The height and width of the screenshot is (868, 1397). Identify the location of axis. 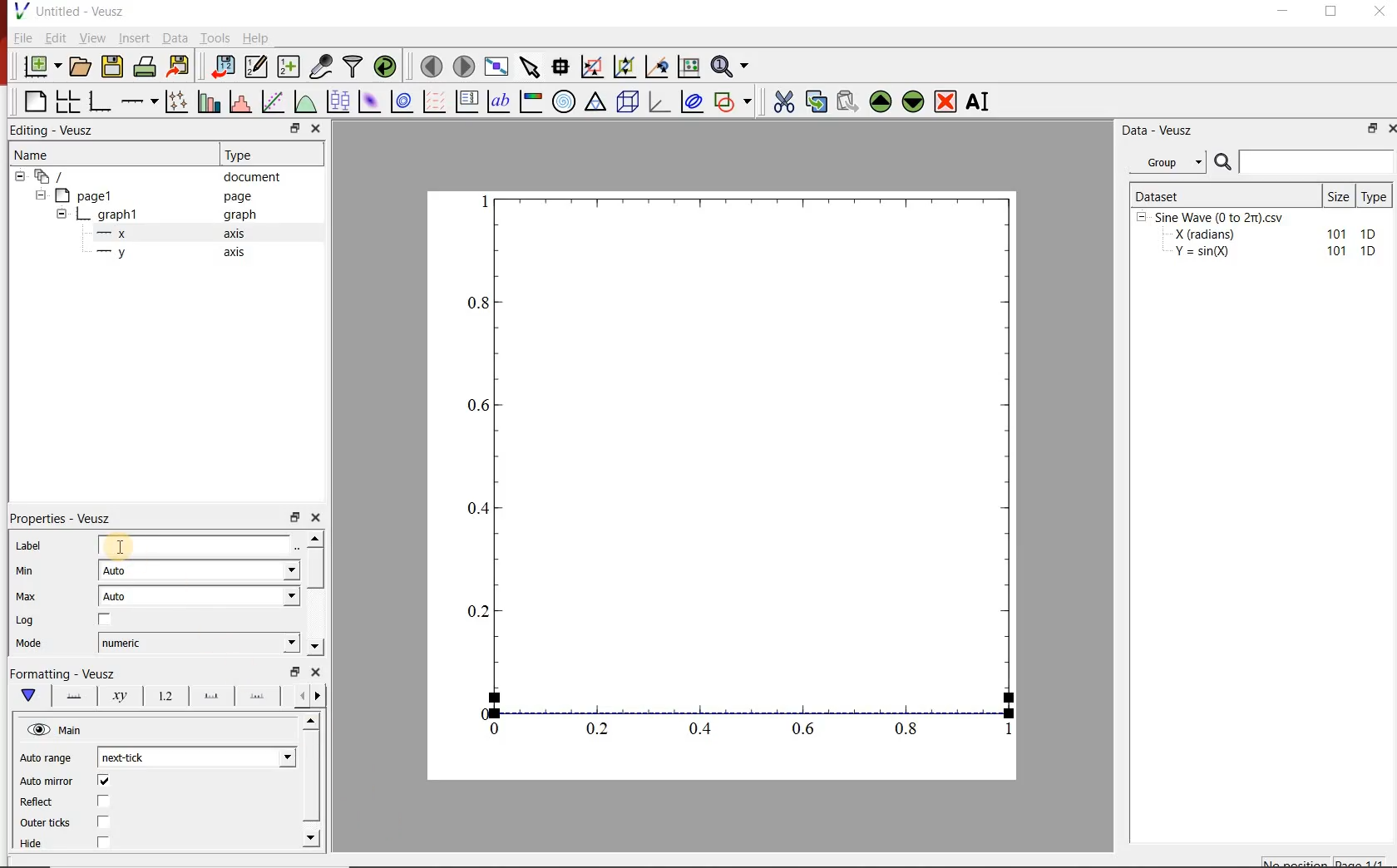
(235, 233).